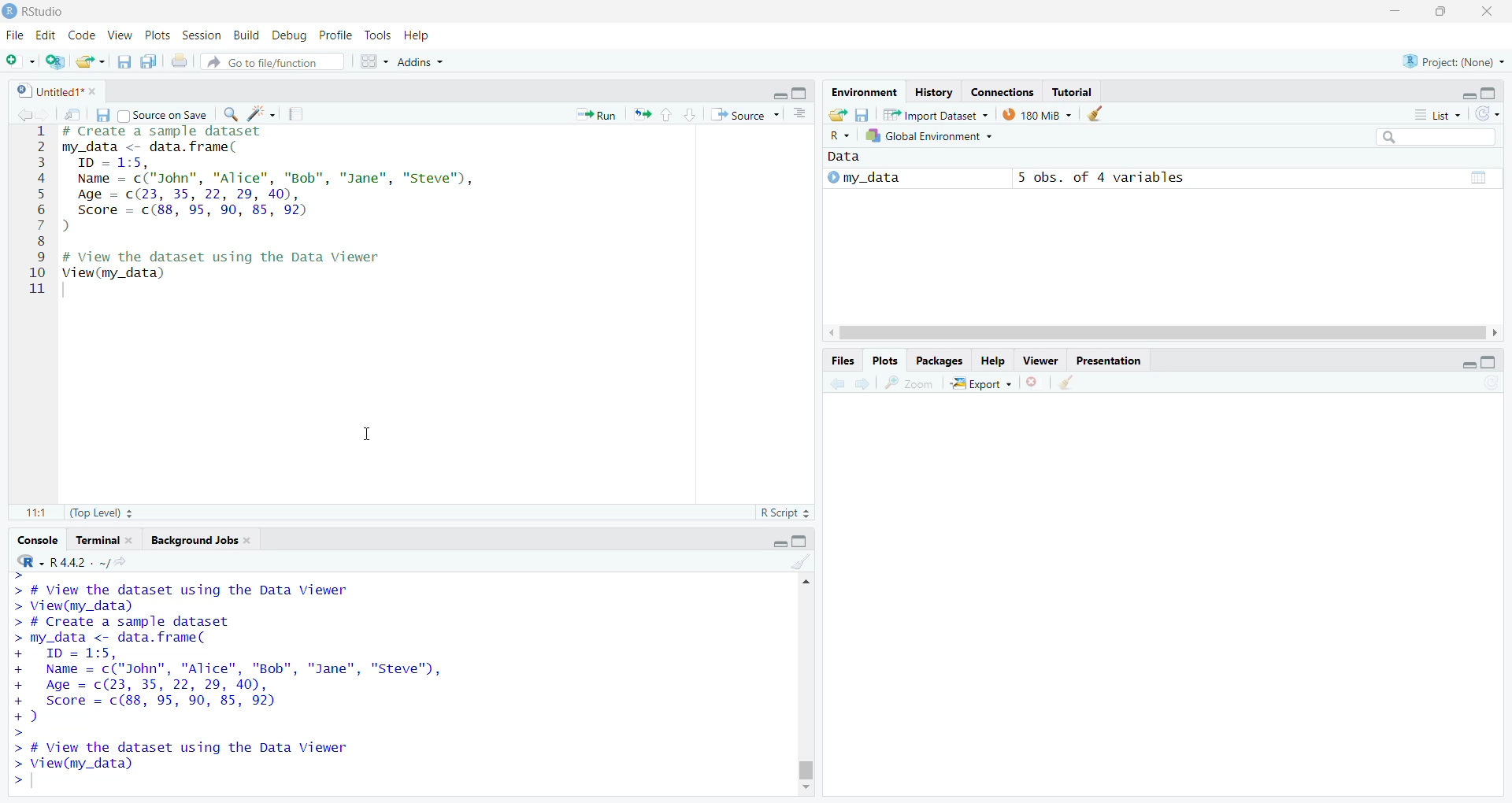  Describe the element at coordinates (365, 435) in the screenshot. I see `Cursor` at that location.